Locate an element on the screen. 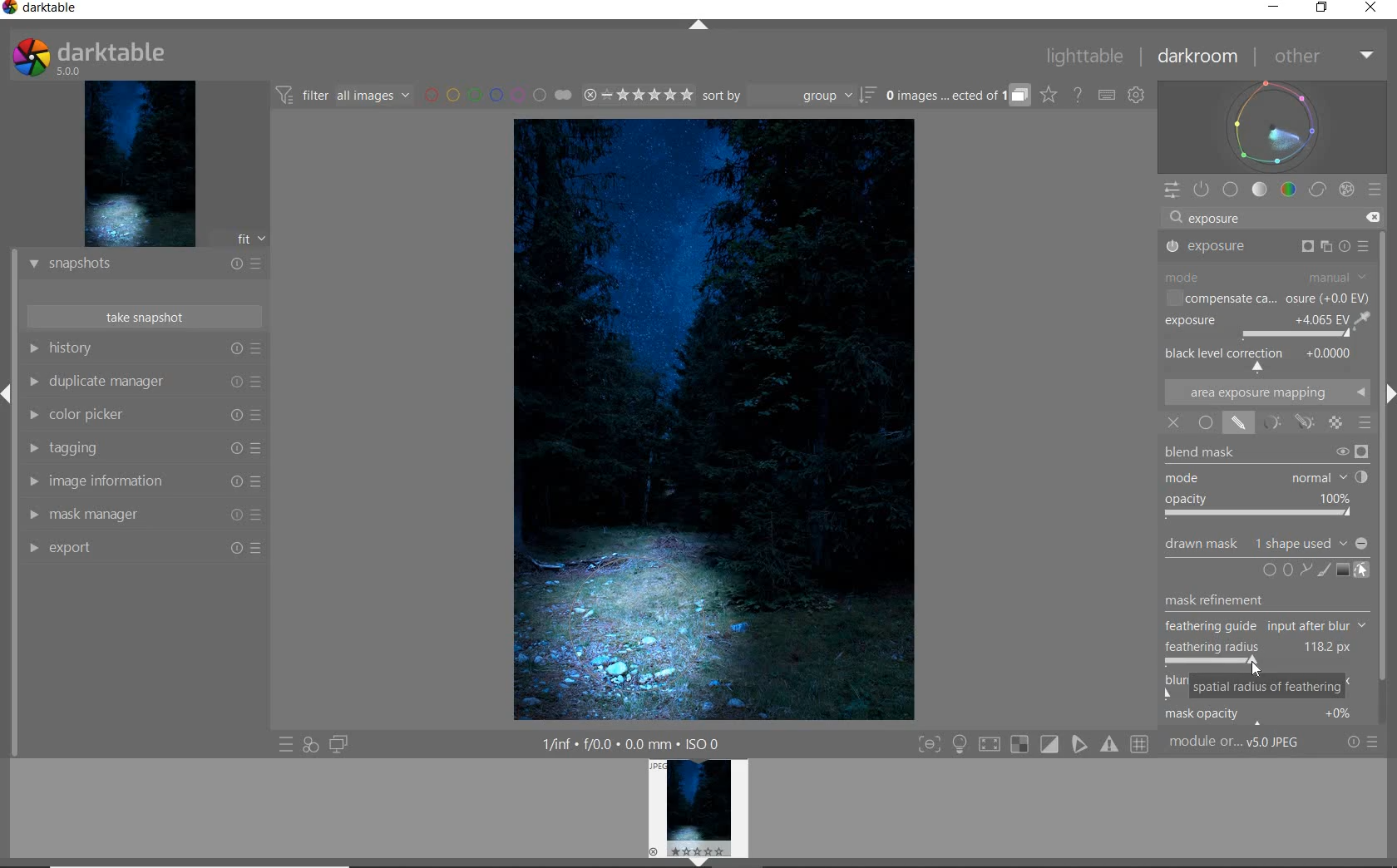 The image size is (1397, 868). EXPOSURE is located at coordinates (1270, 246).